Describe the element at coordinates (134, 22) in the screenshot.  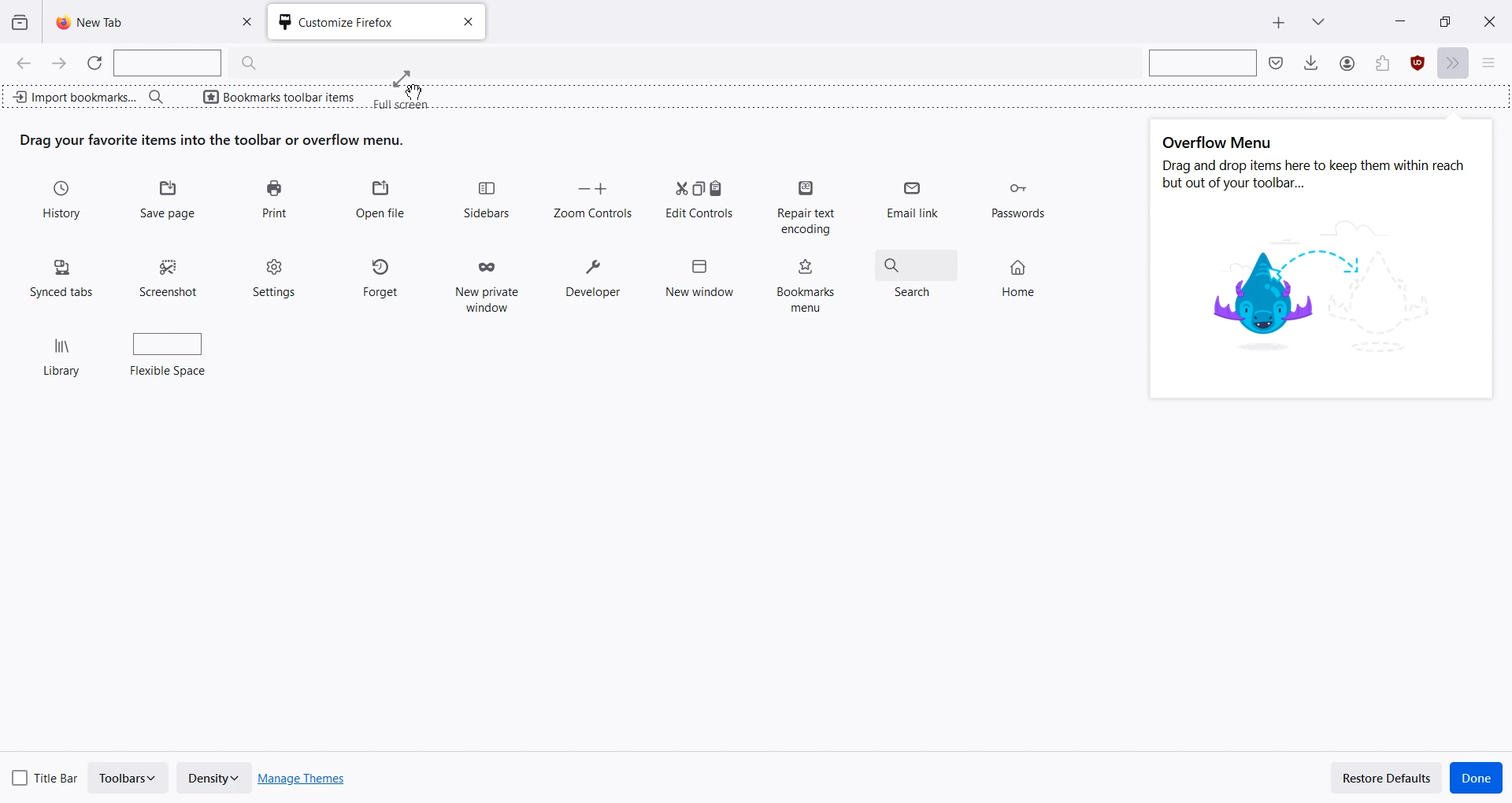
I see `New Tab` at that location.